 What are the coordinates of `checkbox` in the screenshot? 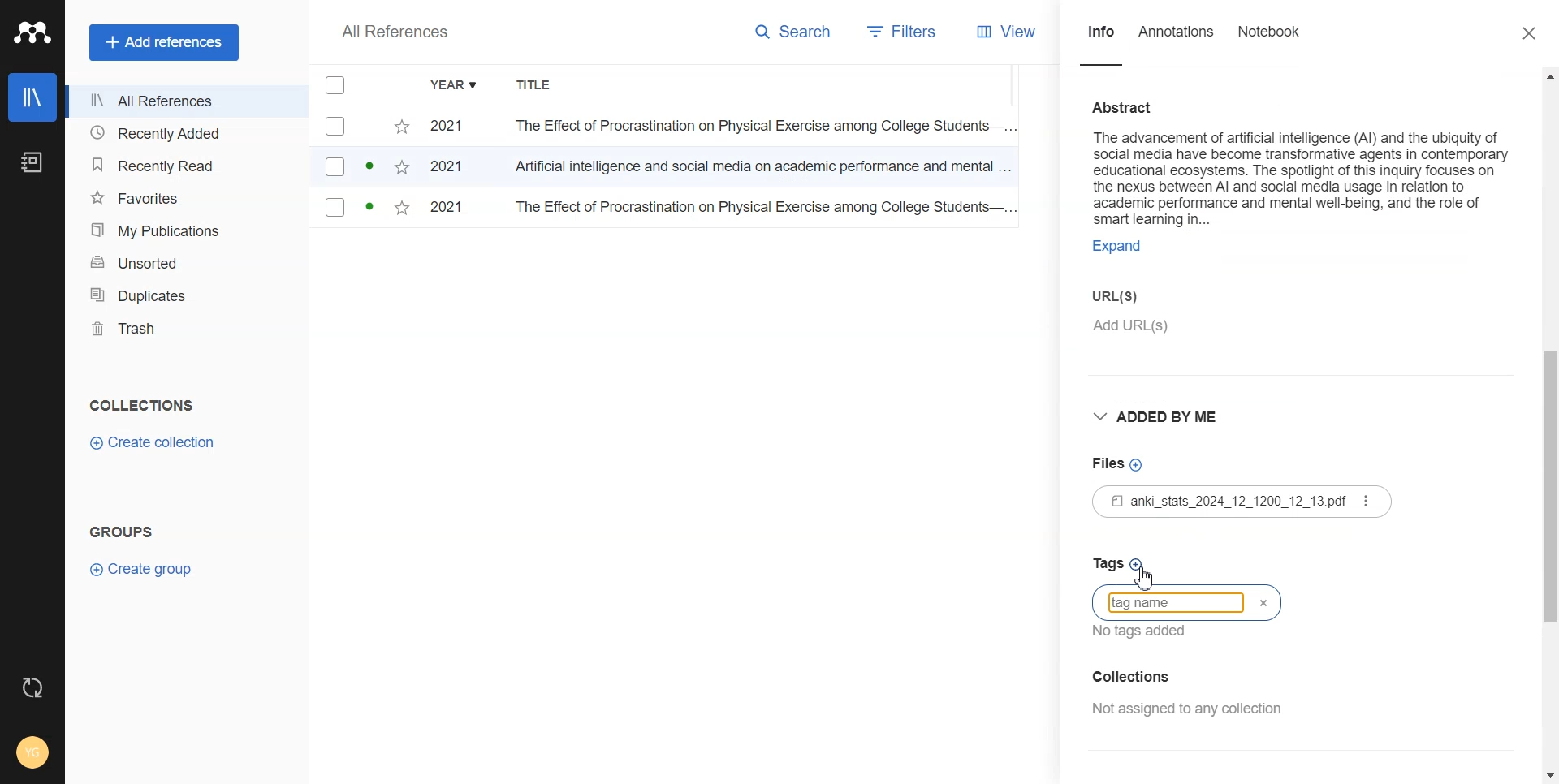 It's located at (363, 168).